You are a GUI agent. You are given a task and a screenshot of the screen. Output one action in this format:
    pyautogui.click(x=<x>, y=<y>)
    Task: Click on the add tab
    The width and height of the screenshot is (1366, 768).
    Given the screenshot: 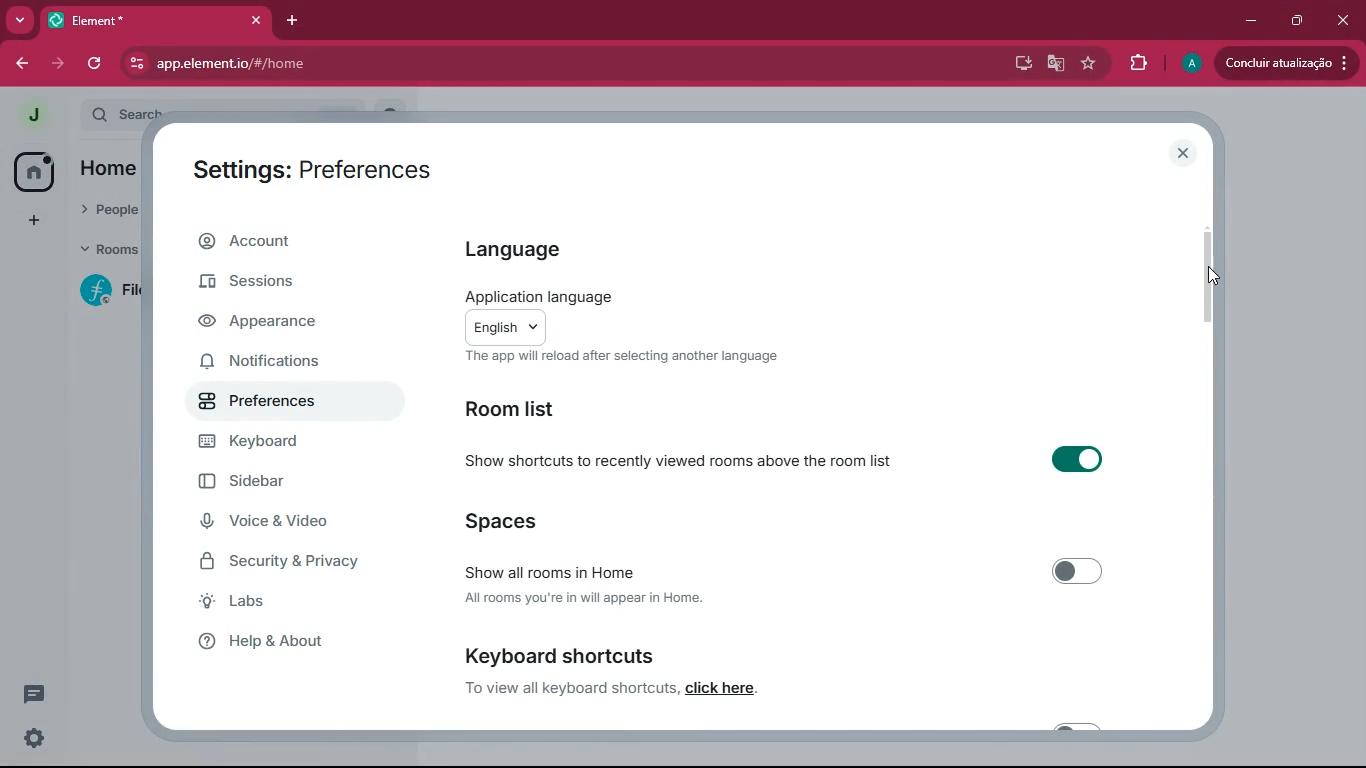 What is the action you would take?
    pyautogui.click(x=296, y=21)
    